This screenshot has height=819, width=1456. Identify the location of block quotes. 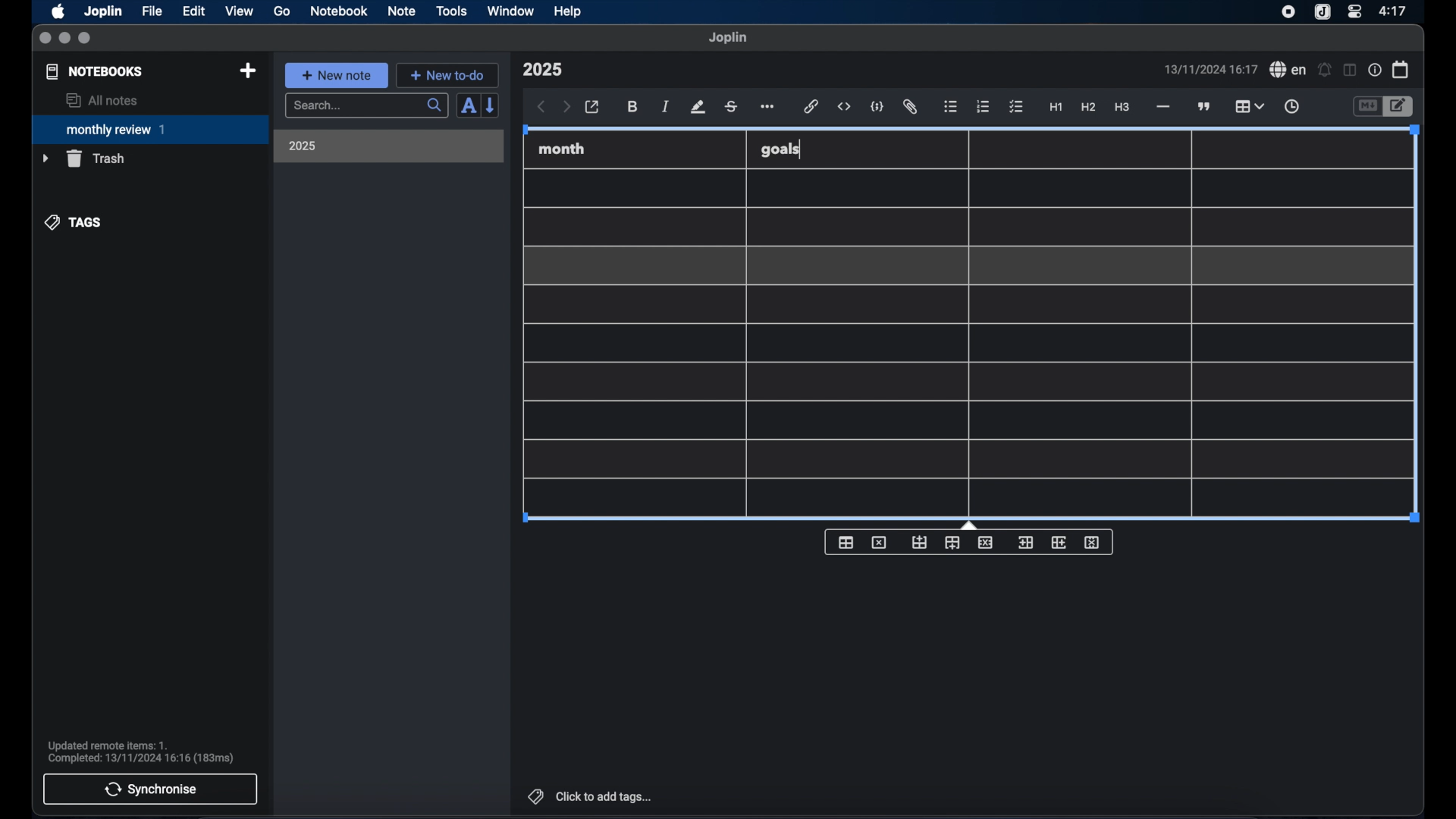
(1205, 107).